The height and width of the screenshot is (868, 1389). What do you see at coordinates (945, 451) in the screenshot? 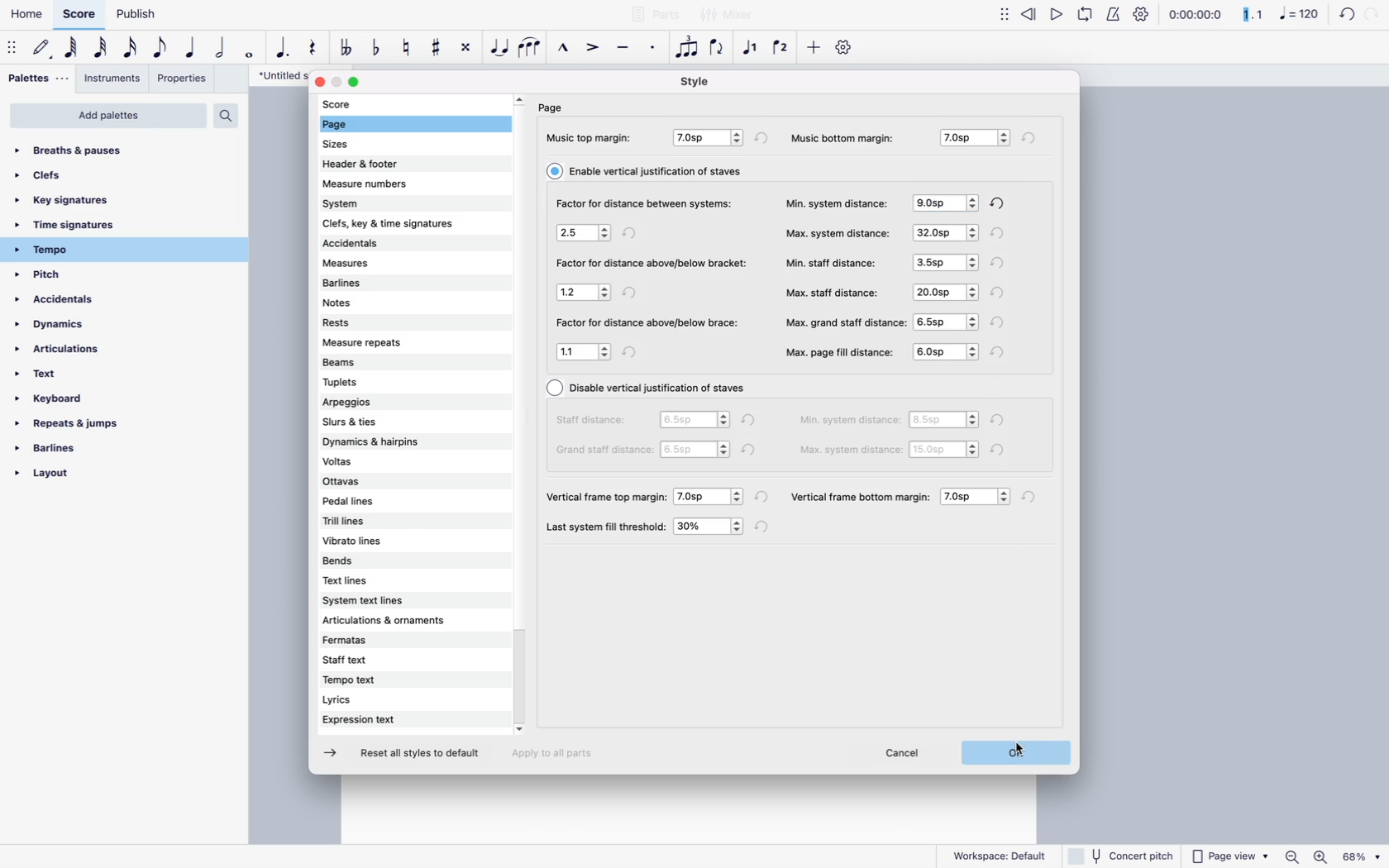
I see `options` at bounding box center [945, 451].